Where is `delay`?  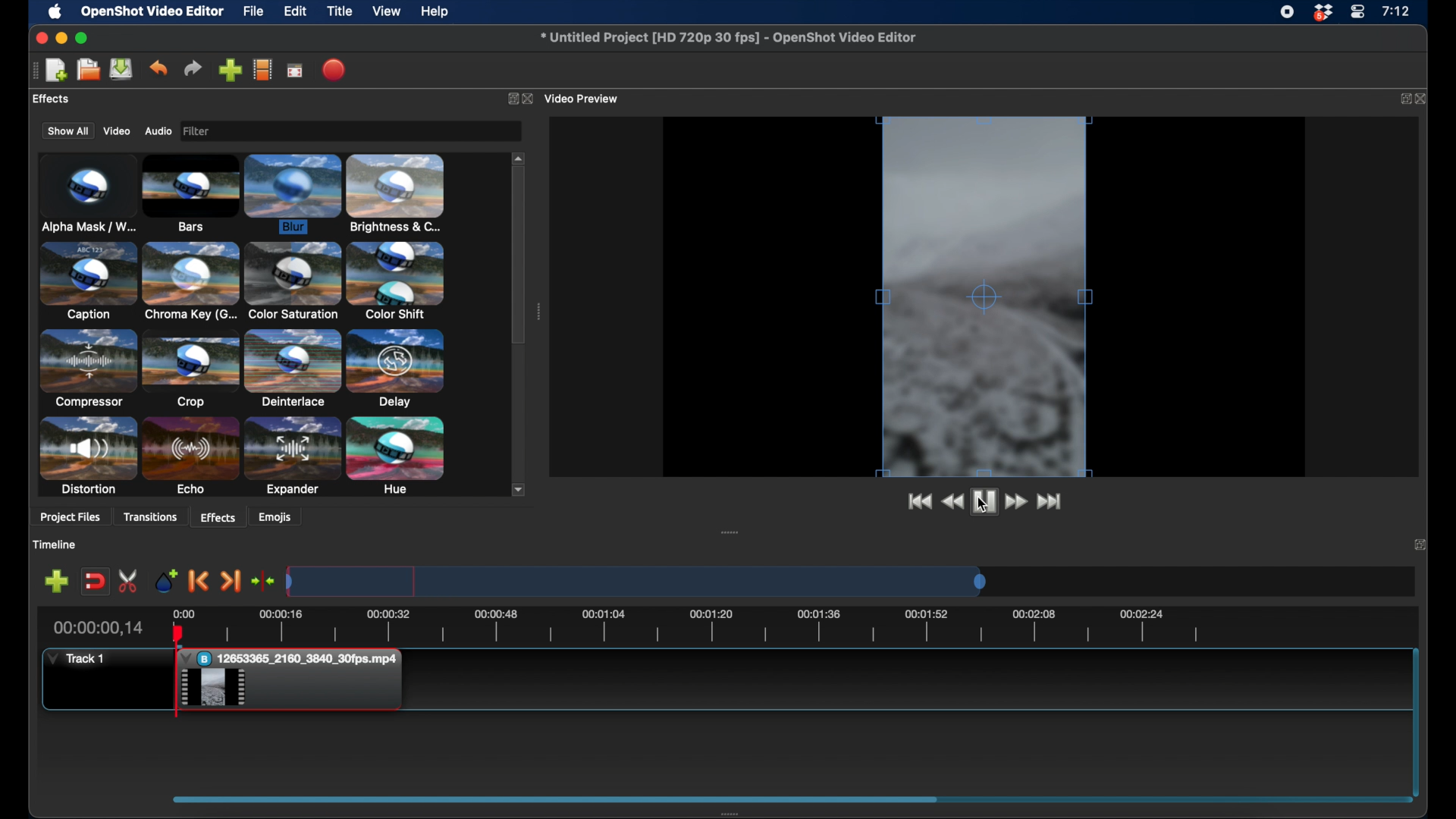
delay is located at coordinates (396, 368).